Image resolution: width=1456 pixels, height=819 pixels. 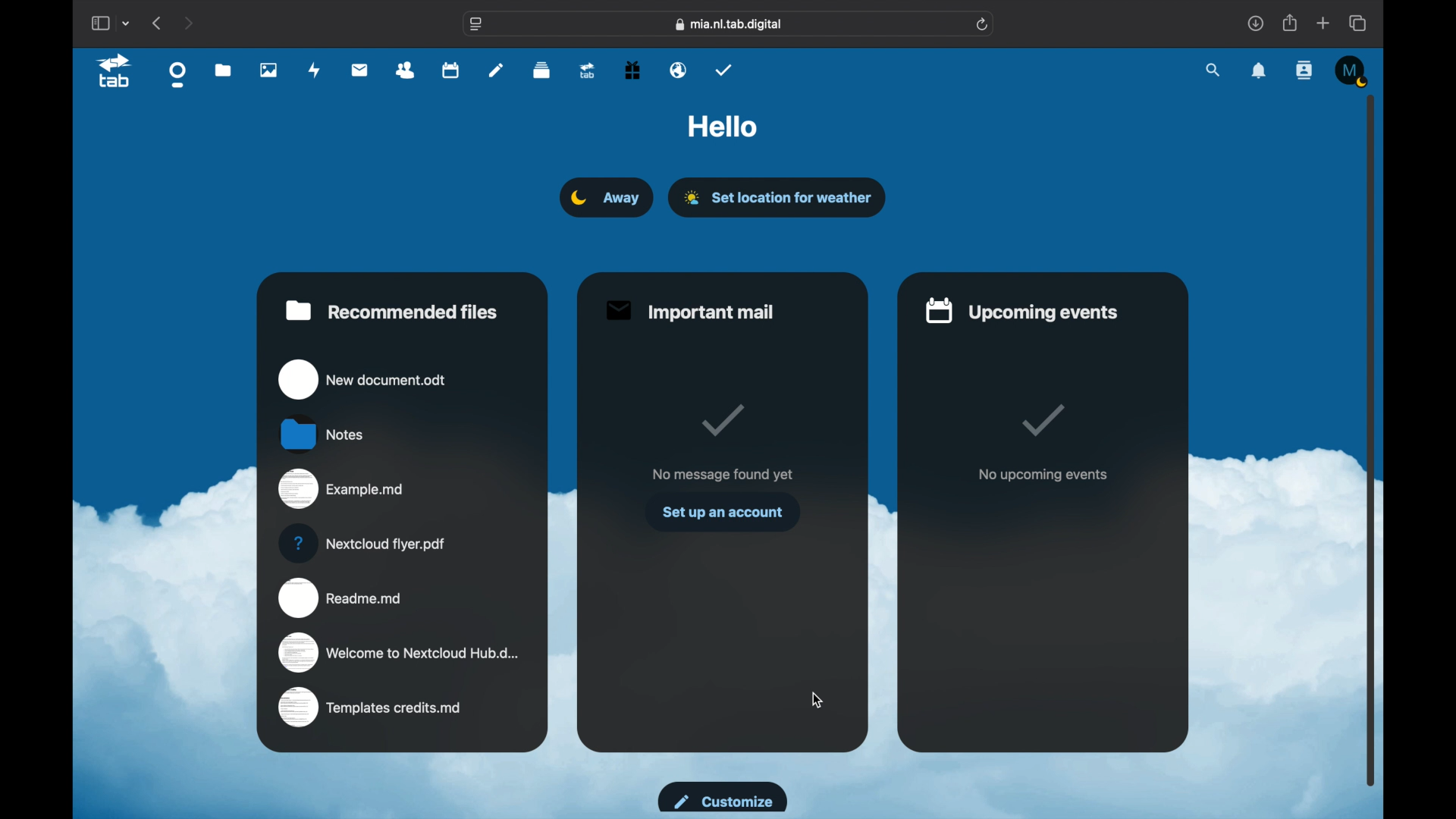 I want to click on photos, so click(x=268, y=70).